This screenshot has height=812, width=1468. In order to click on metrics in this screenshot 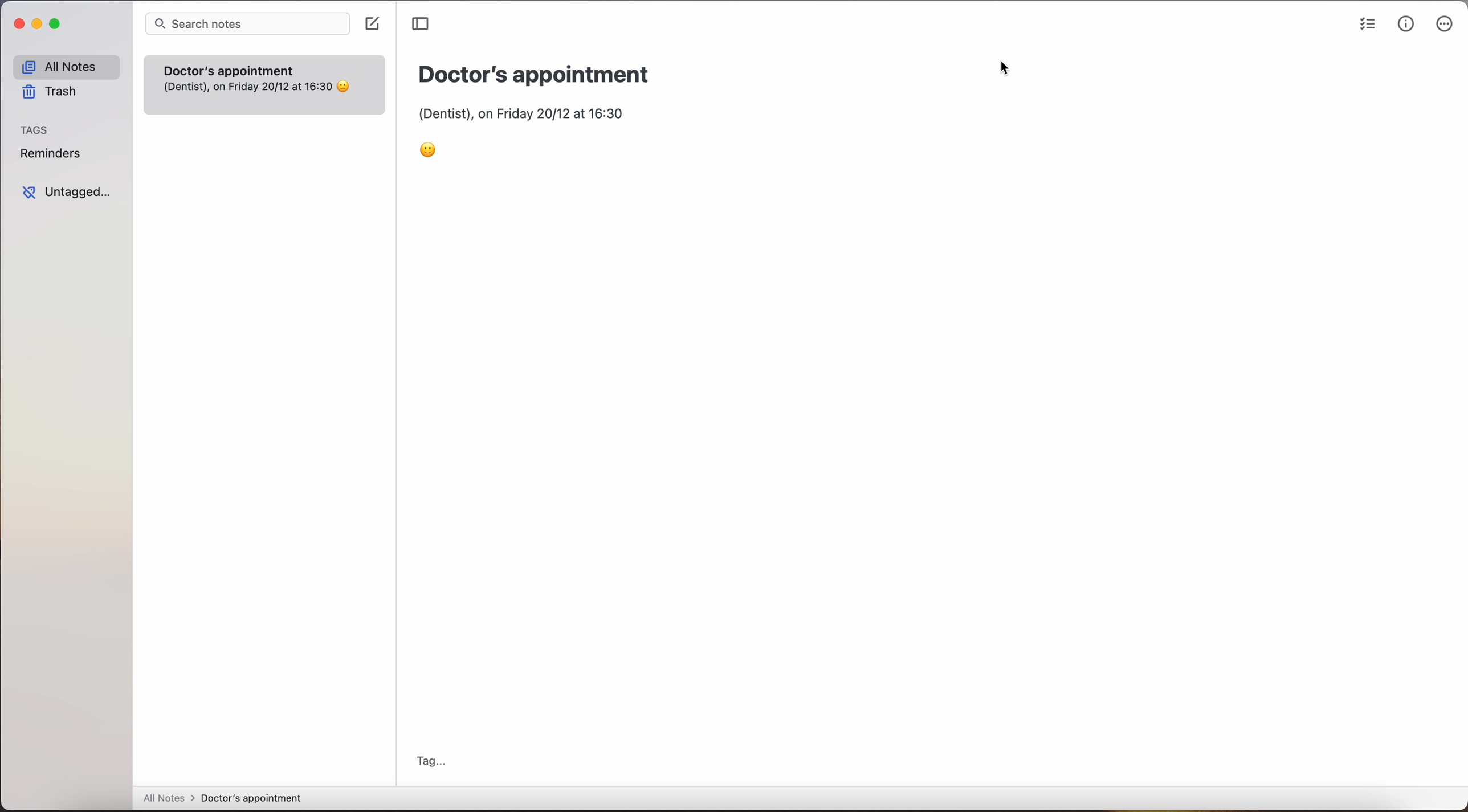, I will do `click(1405, 24)`.